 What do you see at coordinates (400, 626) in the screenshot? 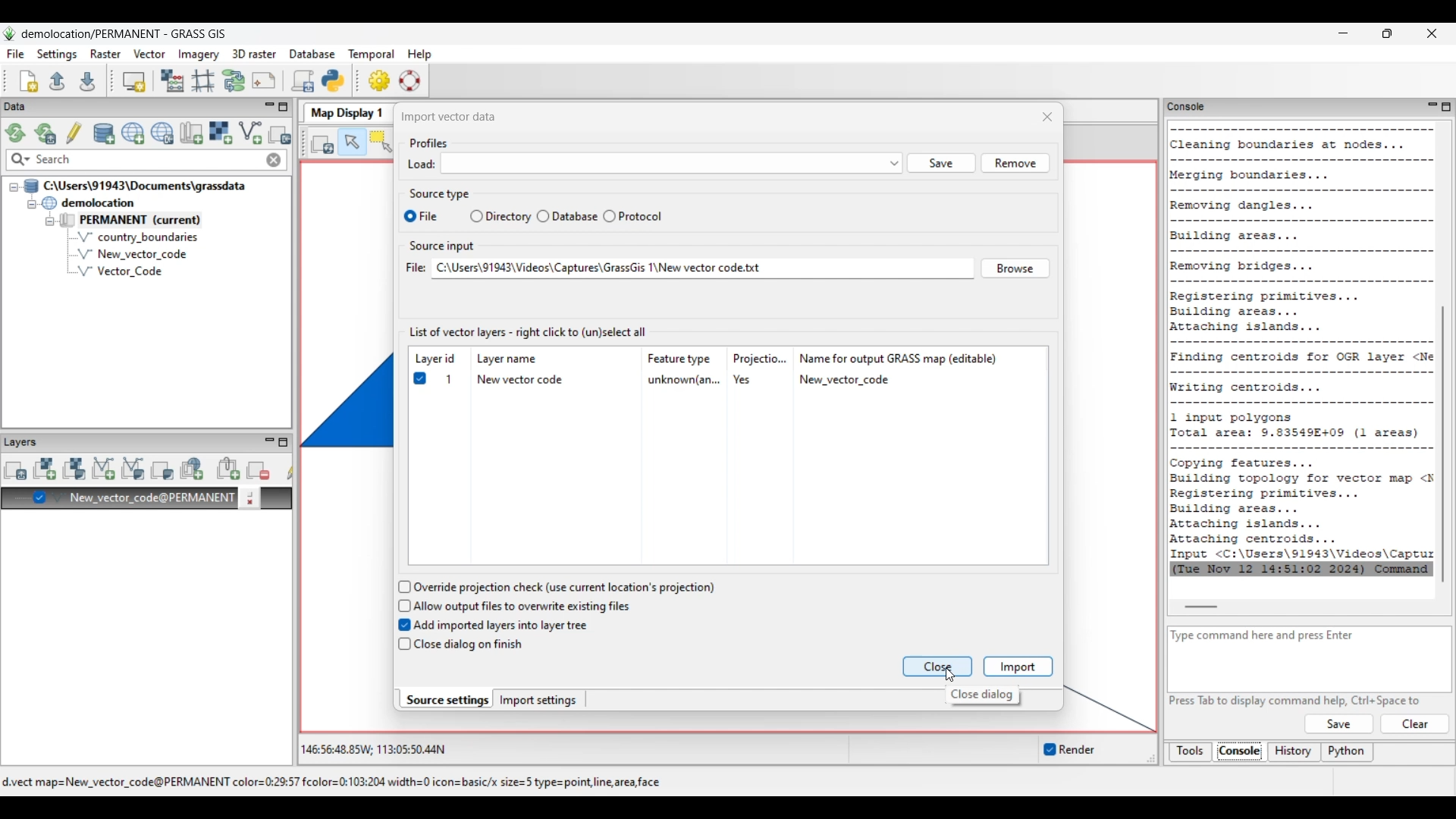
I see `checkbox` at bounding box center [400, 626].